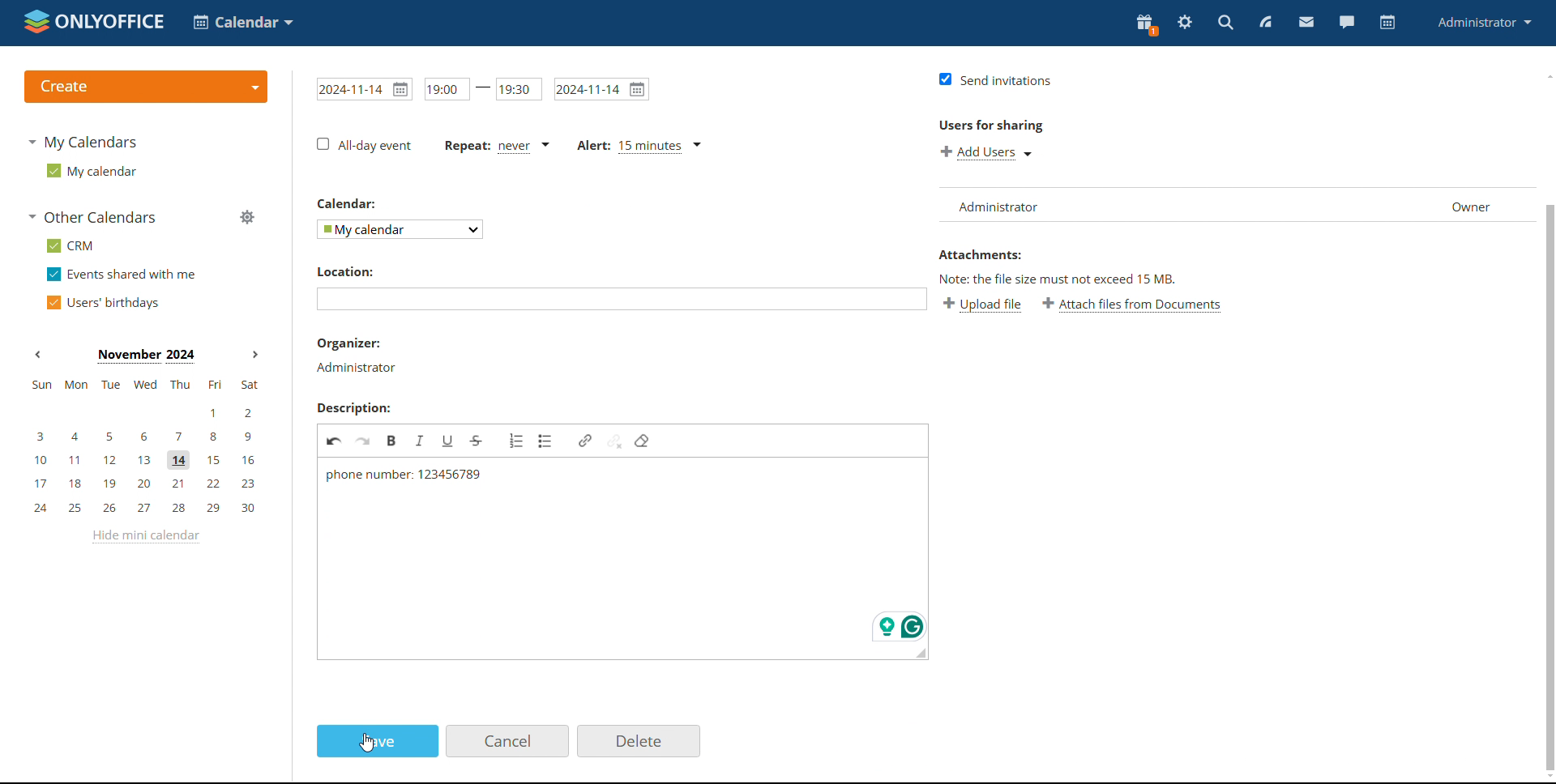 Image resolution: width=1556 pixels, height=784 pixels. I want to click on mail, so click(1306, 23).